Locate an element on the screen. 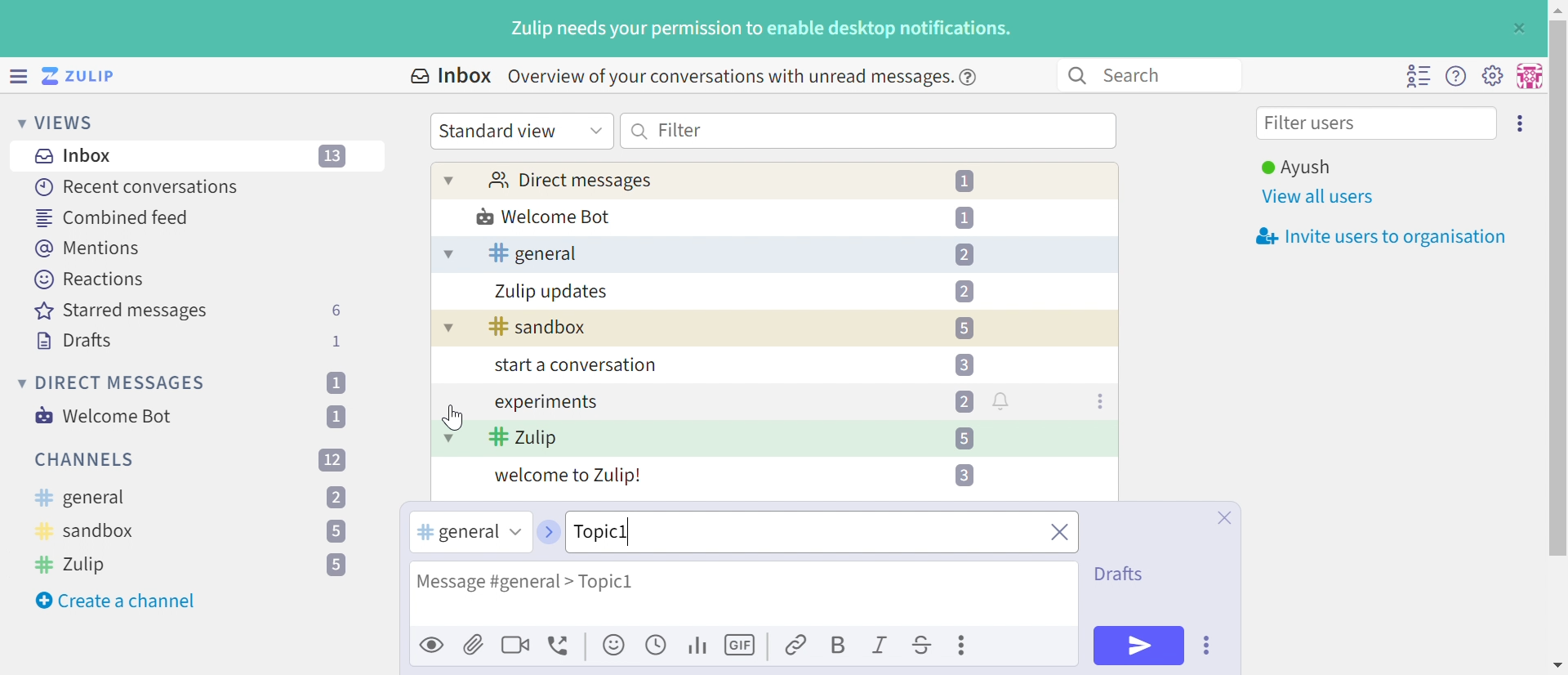 The height and width of the screenshot is (675, 1568). Filter is located at coordinates (680, 129).